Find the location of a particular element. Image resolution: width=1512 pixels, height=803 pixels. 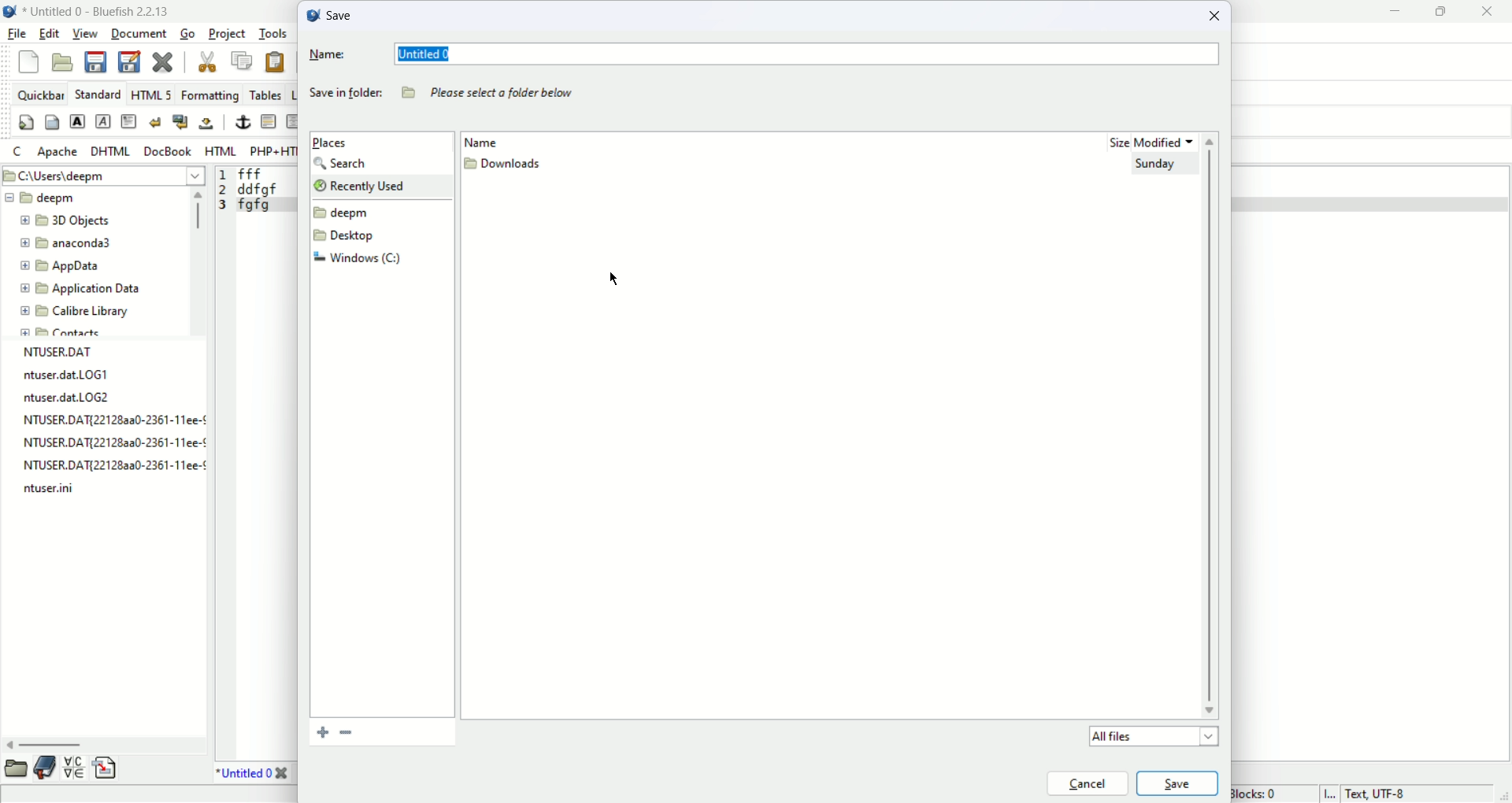

add folder to bookmark is located at coordinates (319, 732).